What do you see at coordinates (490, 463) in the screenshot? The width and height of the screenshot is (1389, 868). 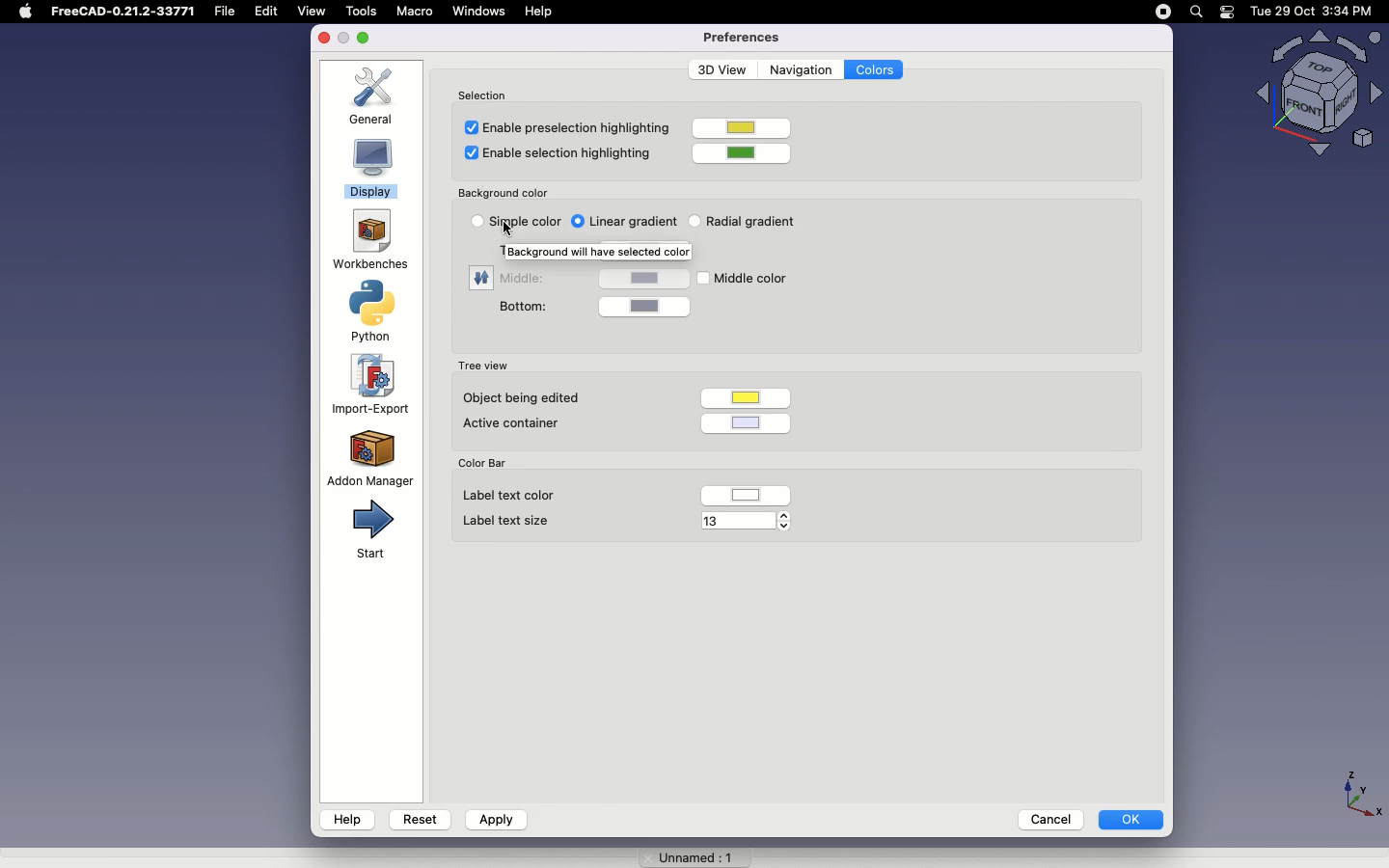 I see `Color Bar` at bounding box center [490, 463].